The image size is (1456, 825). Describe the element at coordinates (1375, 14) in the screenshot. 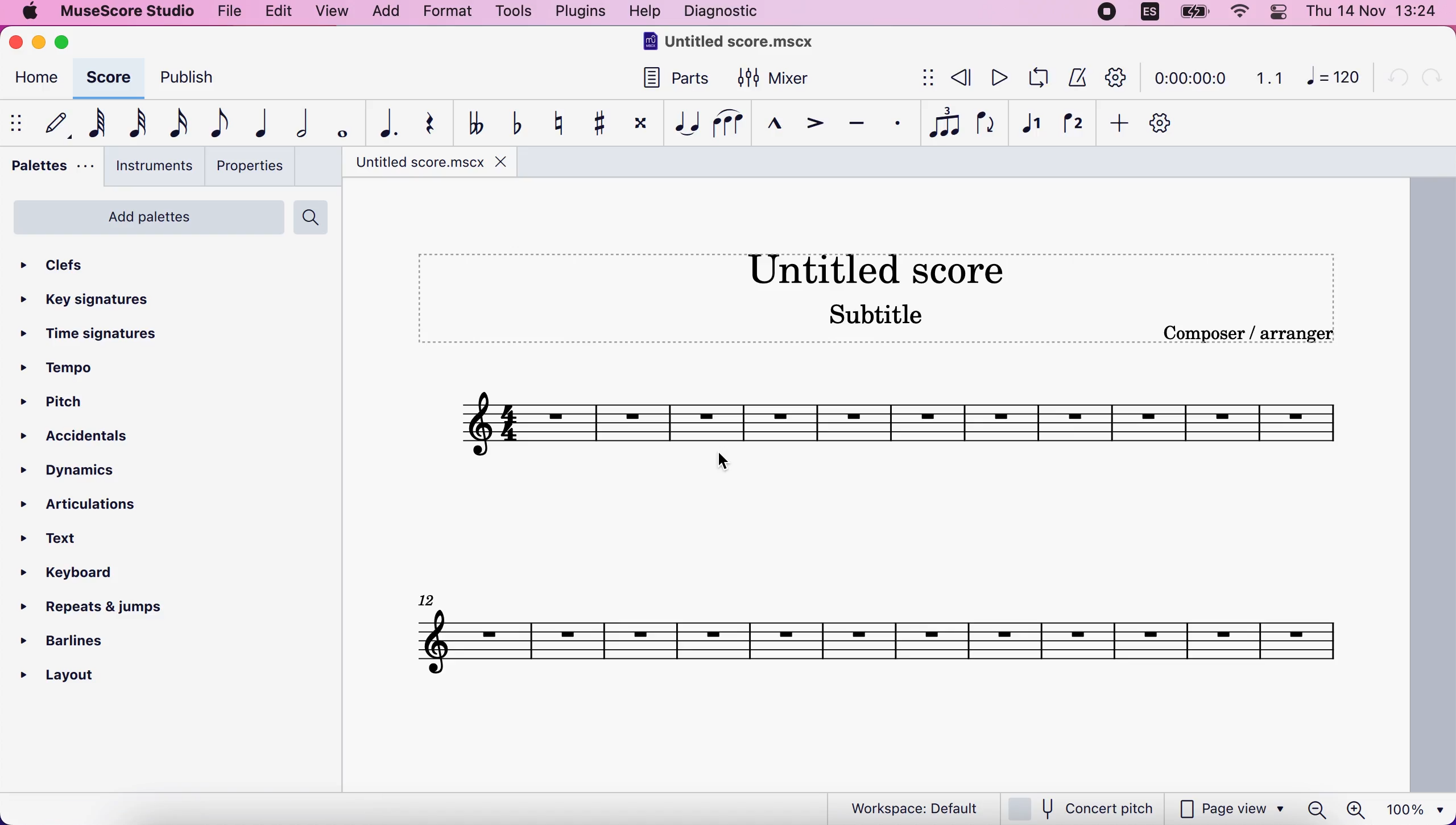

I see `thu 14 nov 13:24` at that location.